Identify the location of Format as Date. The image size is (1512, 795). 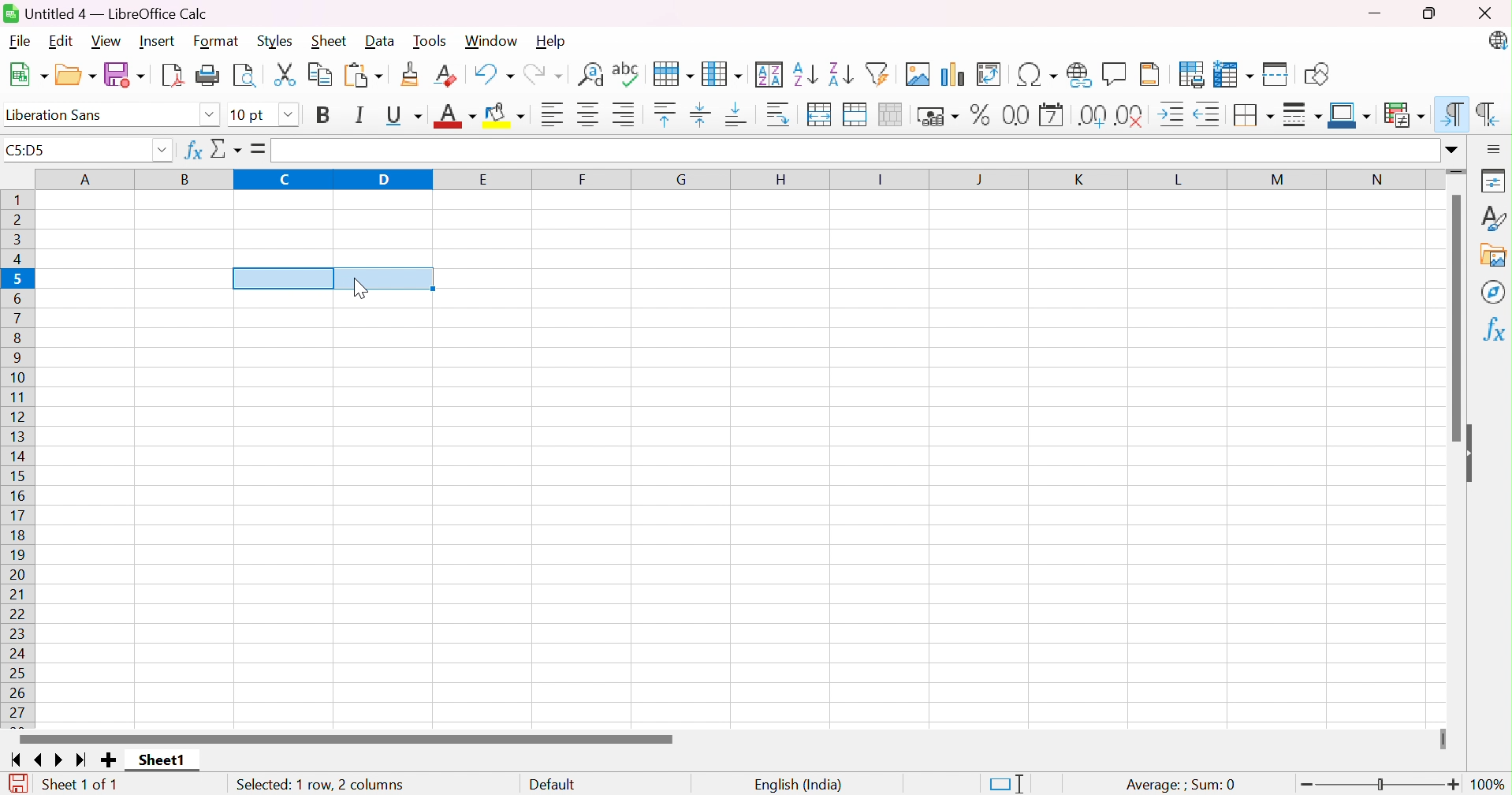
(1052, 114).